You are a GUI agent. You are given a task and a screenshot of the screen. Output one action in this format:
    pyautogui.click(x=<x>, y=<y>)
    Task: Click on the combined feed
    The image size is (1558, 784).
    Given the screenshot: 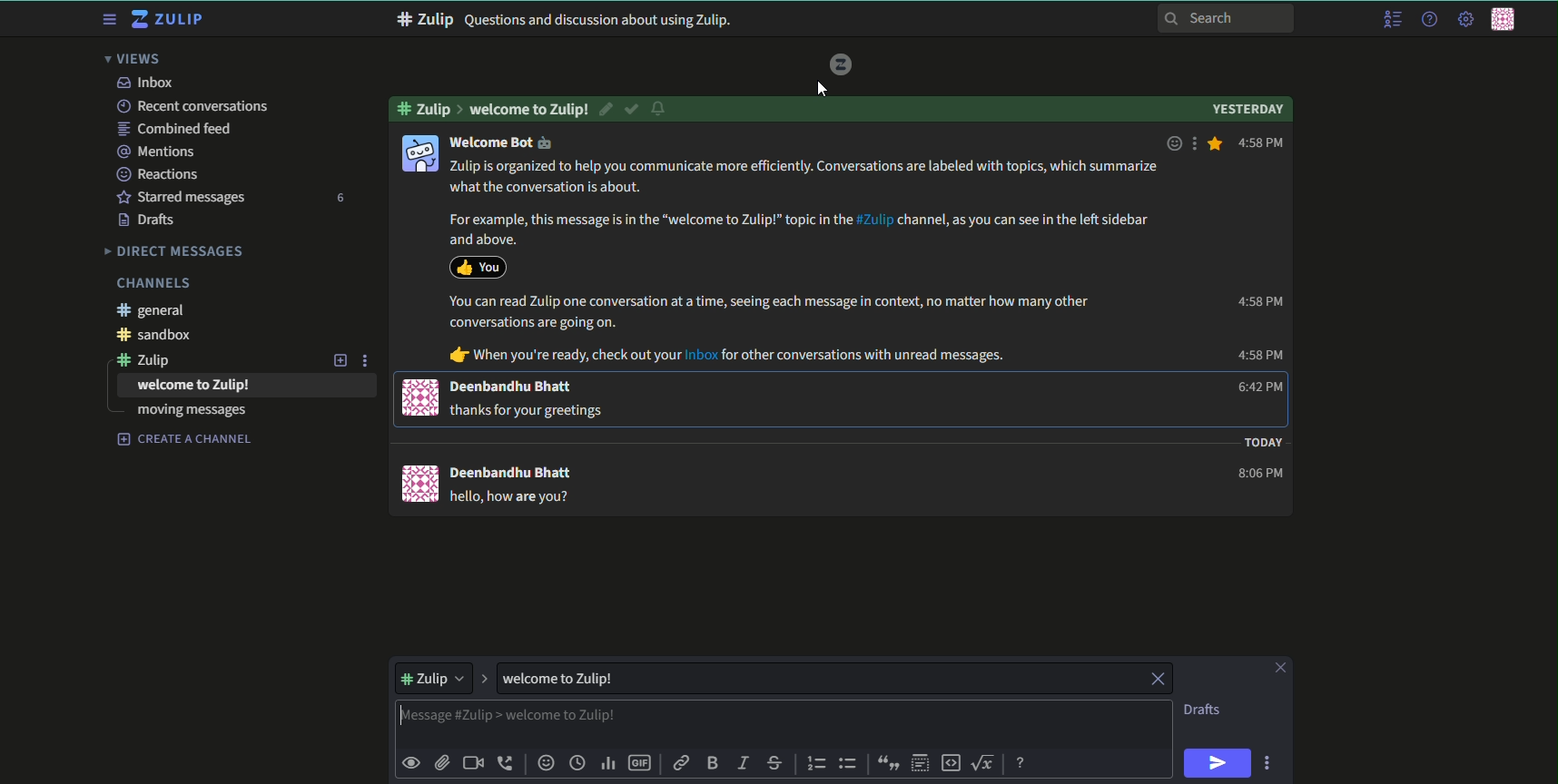 What is the action you would take?
    pyautogui.click(x=177, y=129)
    